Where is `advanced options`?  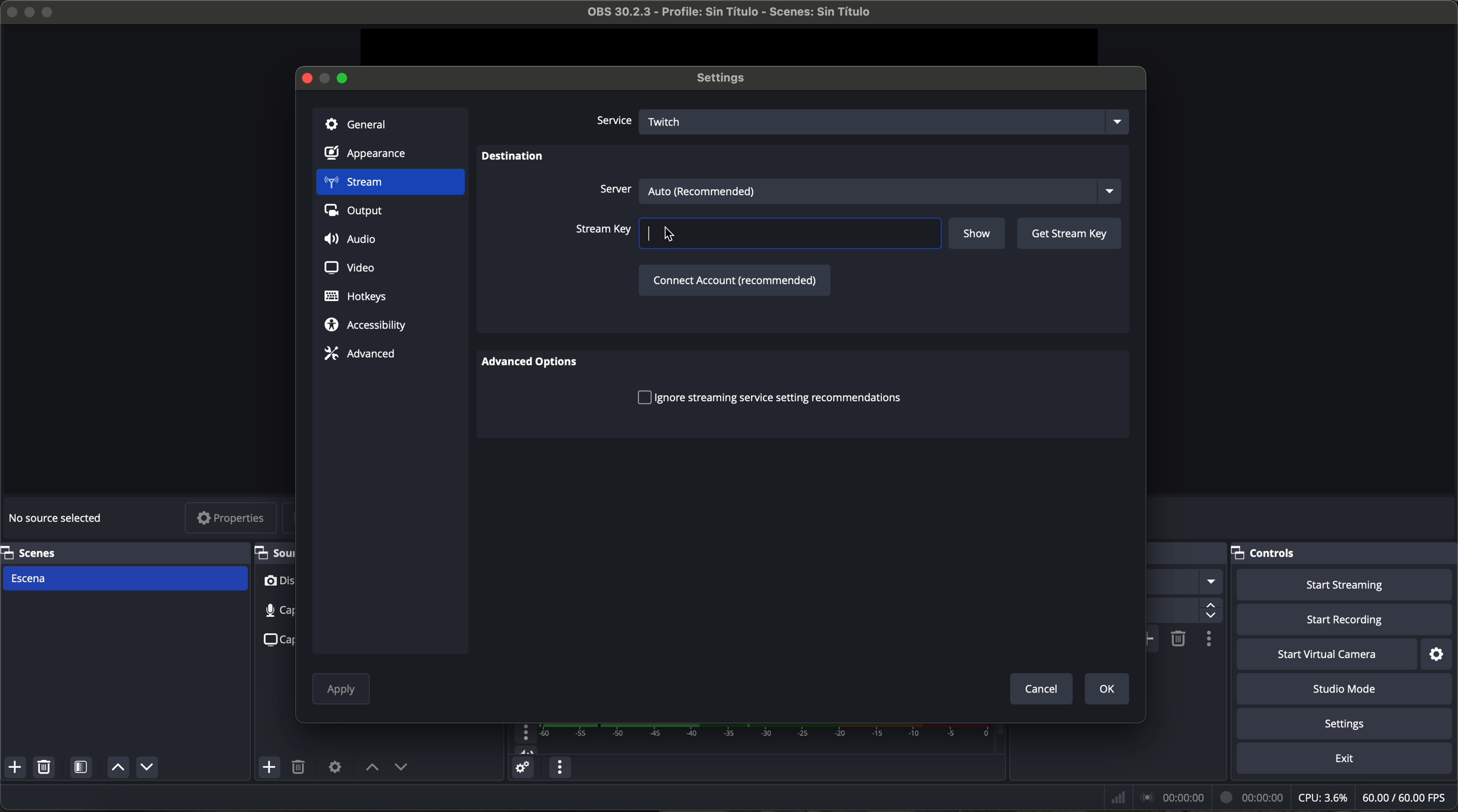
advanced options is located at coordinates (536, 363).